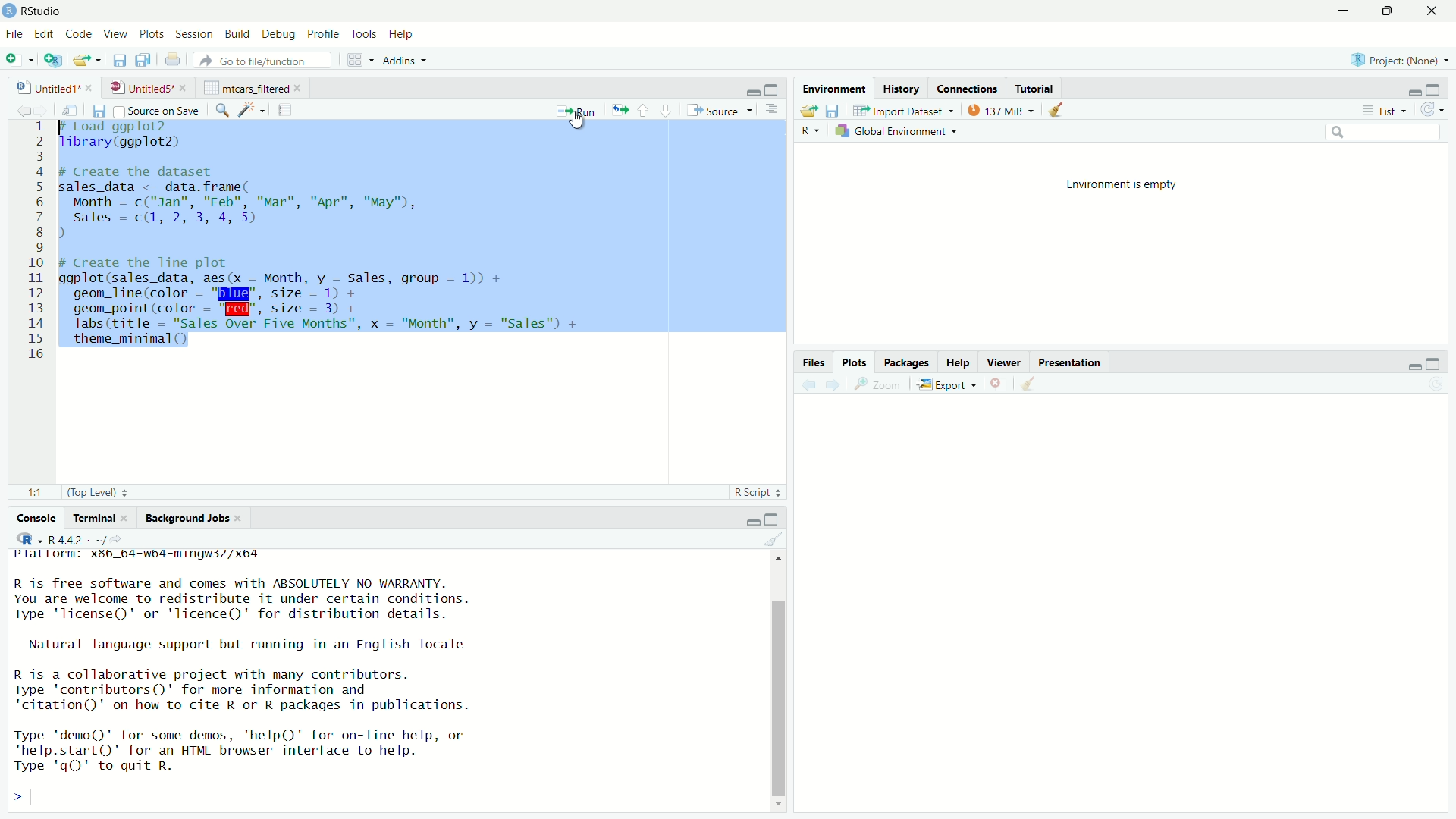  I want to click on tools, so click(366, 35).